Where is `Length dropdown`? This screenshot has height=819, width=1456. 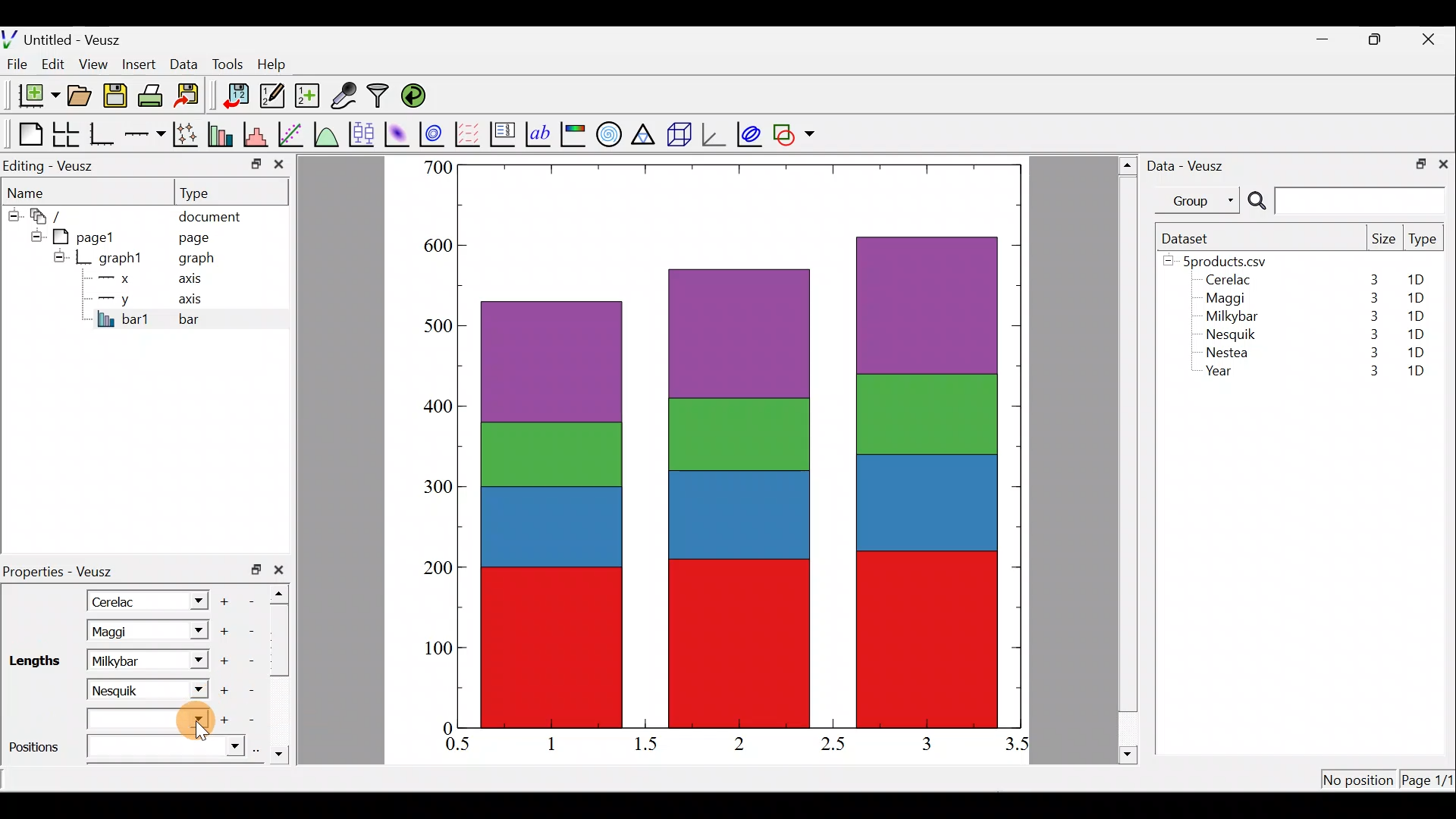
Length dropdown is located at coordinates (150, 720).